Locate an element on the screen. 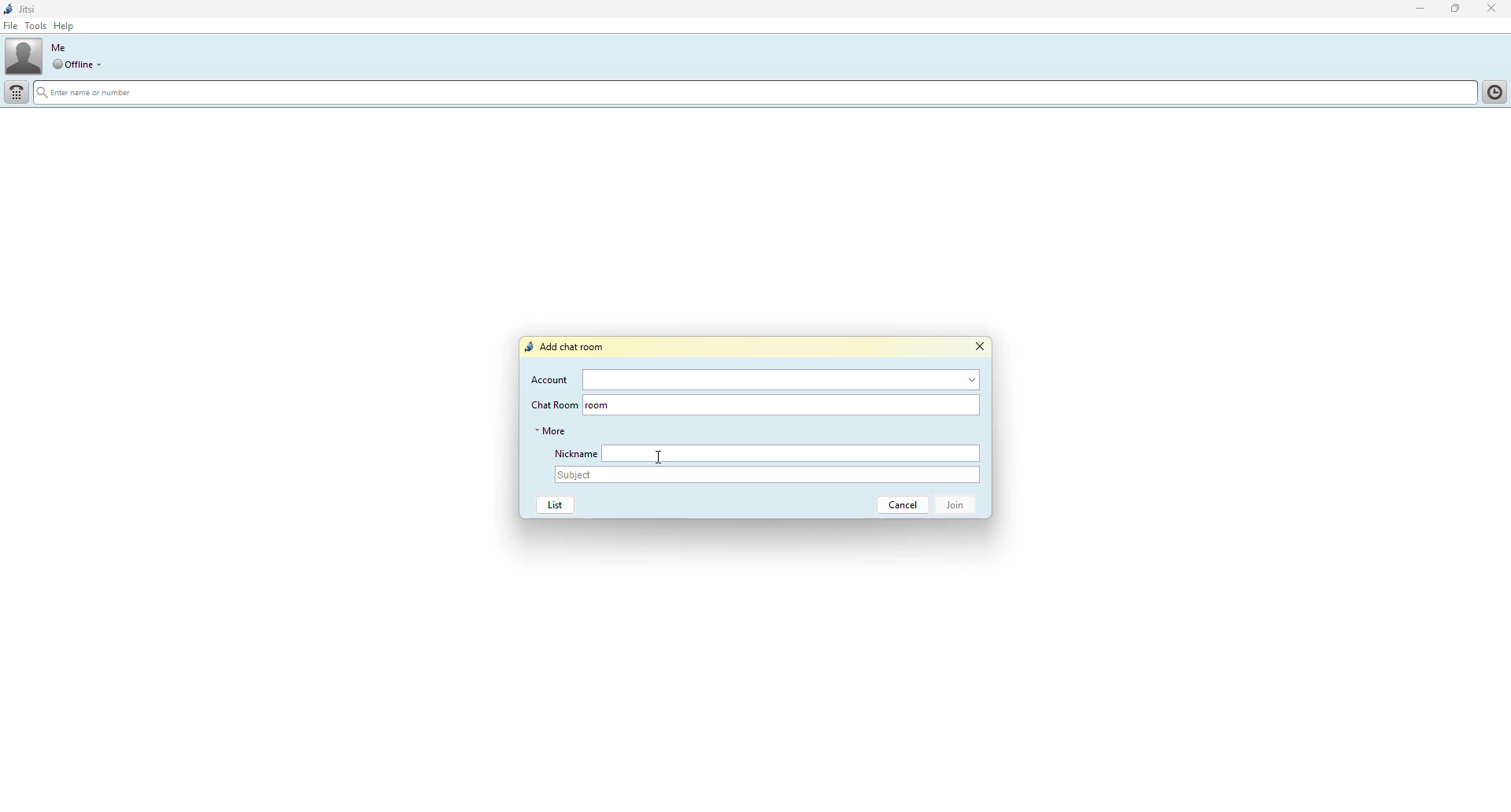  cursor is located at coordinates (657, 456).